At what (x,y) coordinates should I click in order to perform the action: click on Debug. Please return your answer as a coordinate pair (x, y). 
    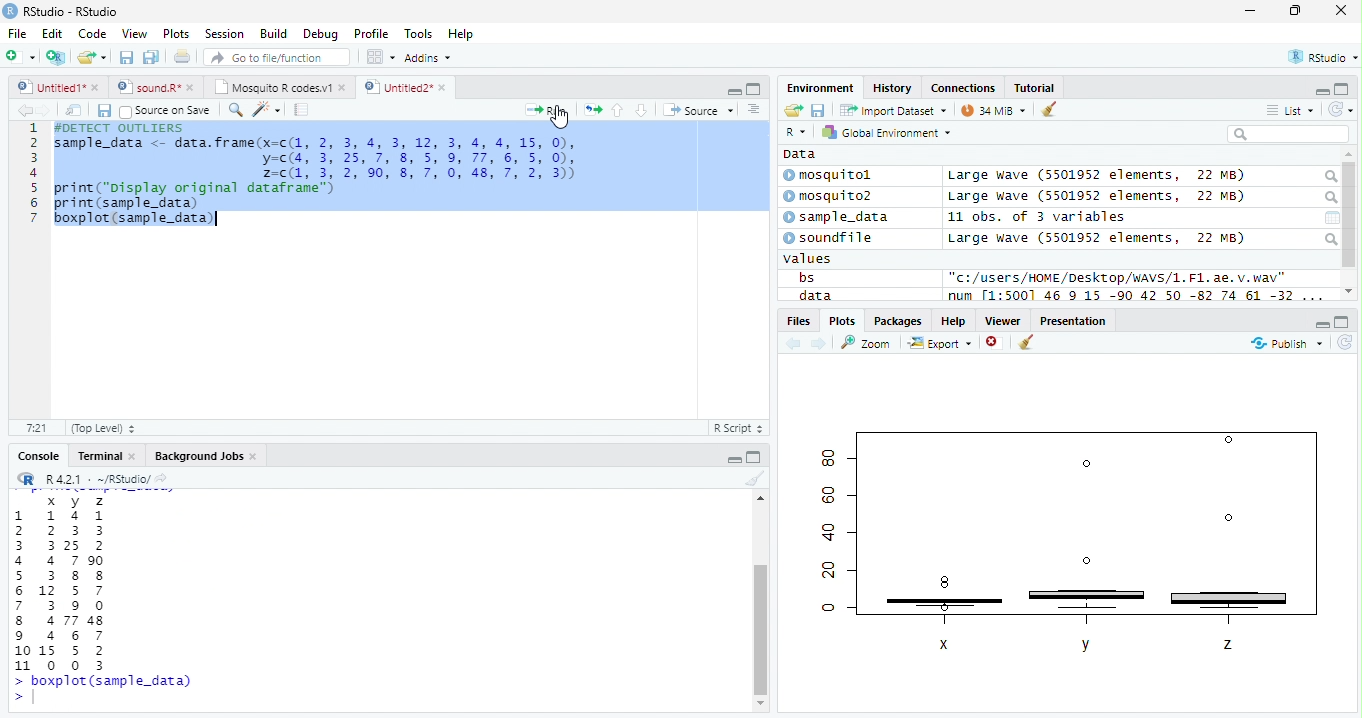
    Looking at the image, I should click on (319, 34).